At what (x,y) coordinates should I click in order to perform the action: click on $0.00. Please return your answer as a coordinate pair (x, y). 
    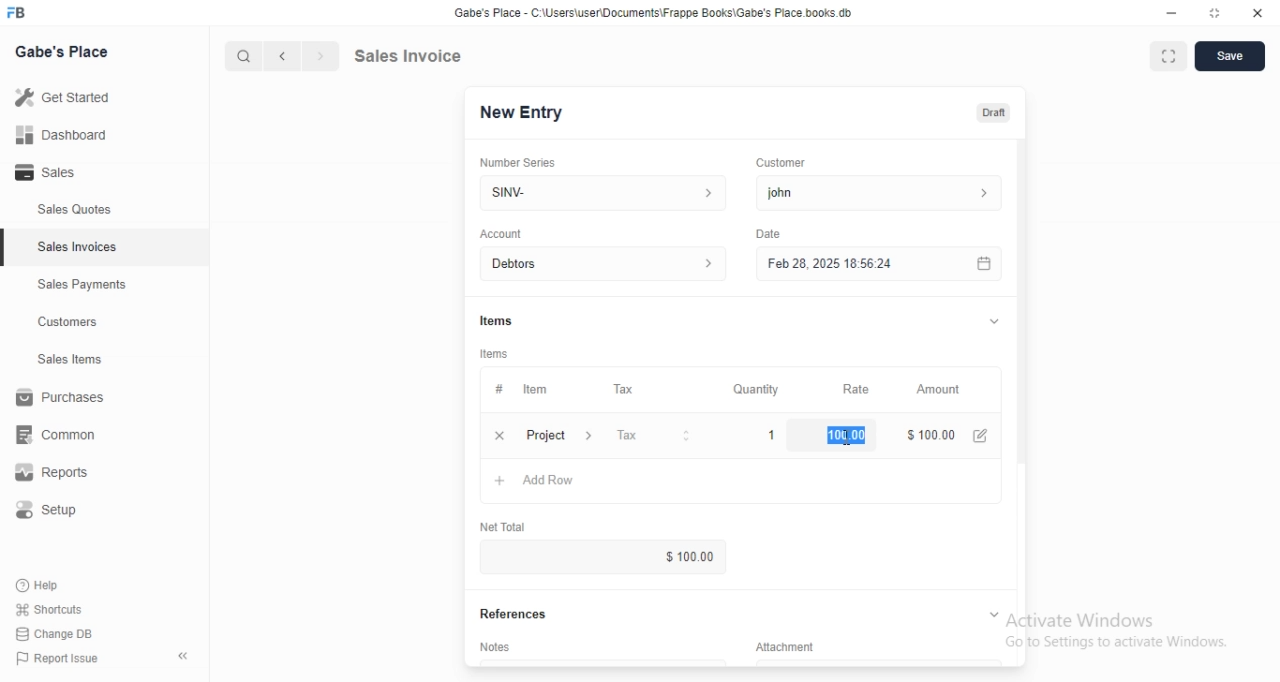
    Looking at the image, I should click on (668, 557).